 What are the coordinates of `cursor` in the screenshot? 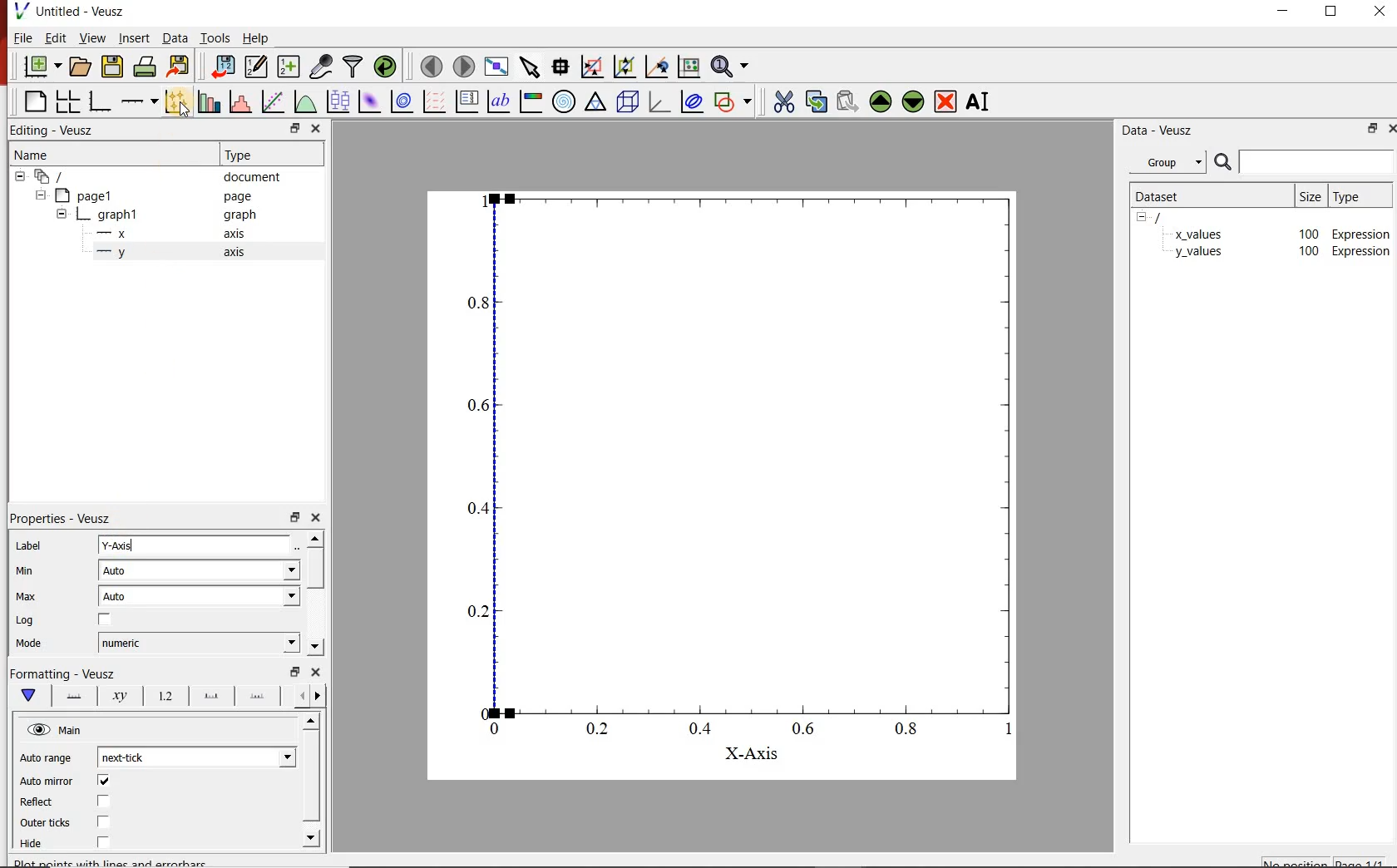 It's located at (185, 111).